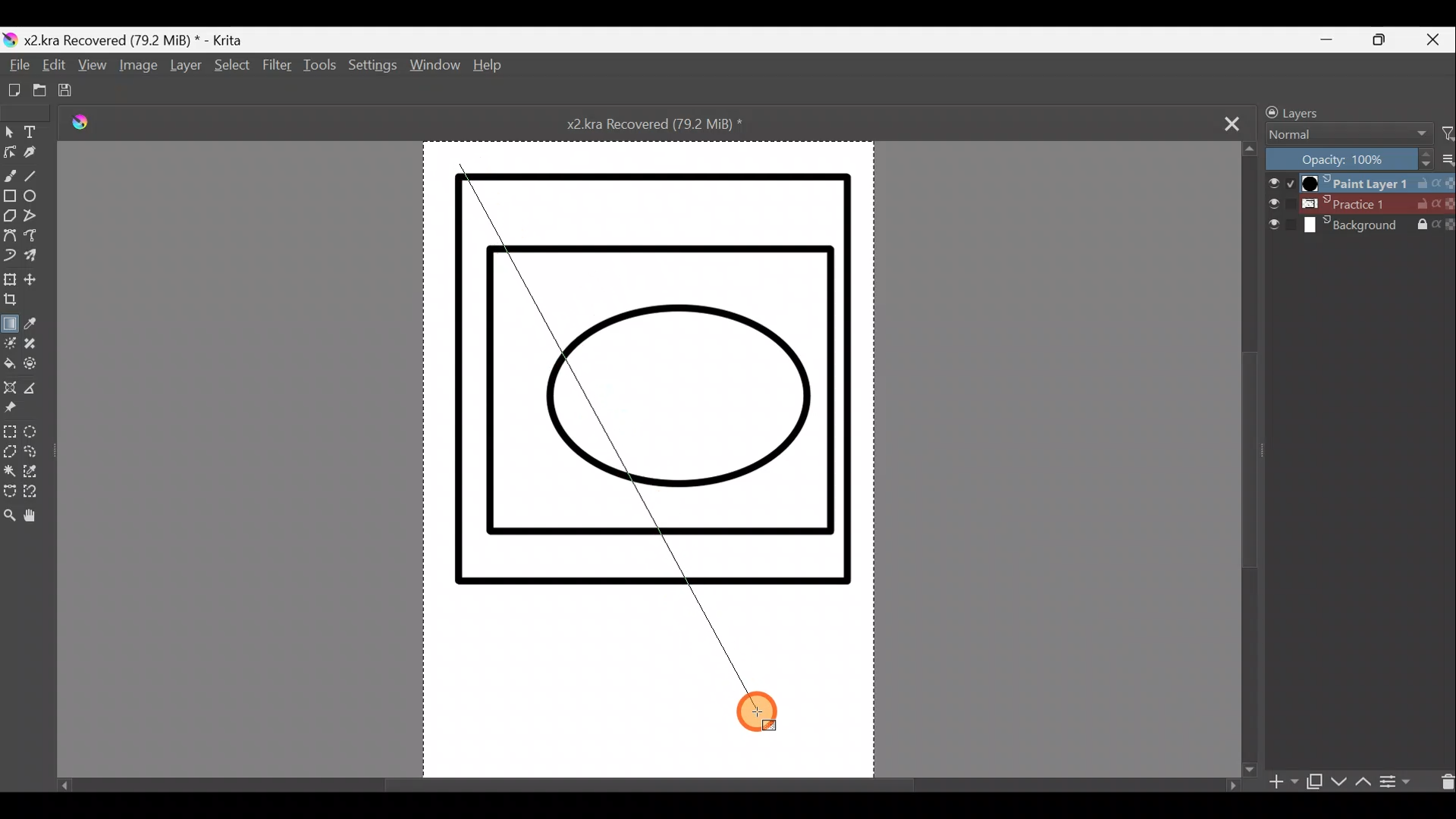 This screenshot has width=1456, height=819. What do you see at coordinates (36, 345) in the screenshot?
I see `Smart patch tool` at bounding box center [36, 345].